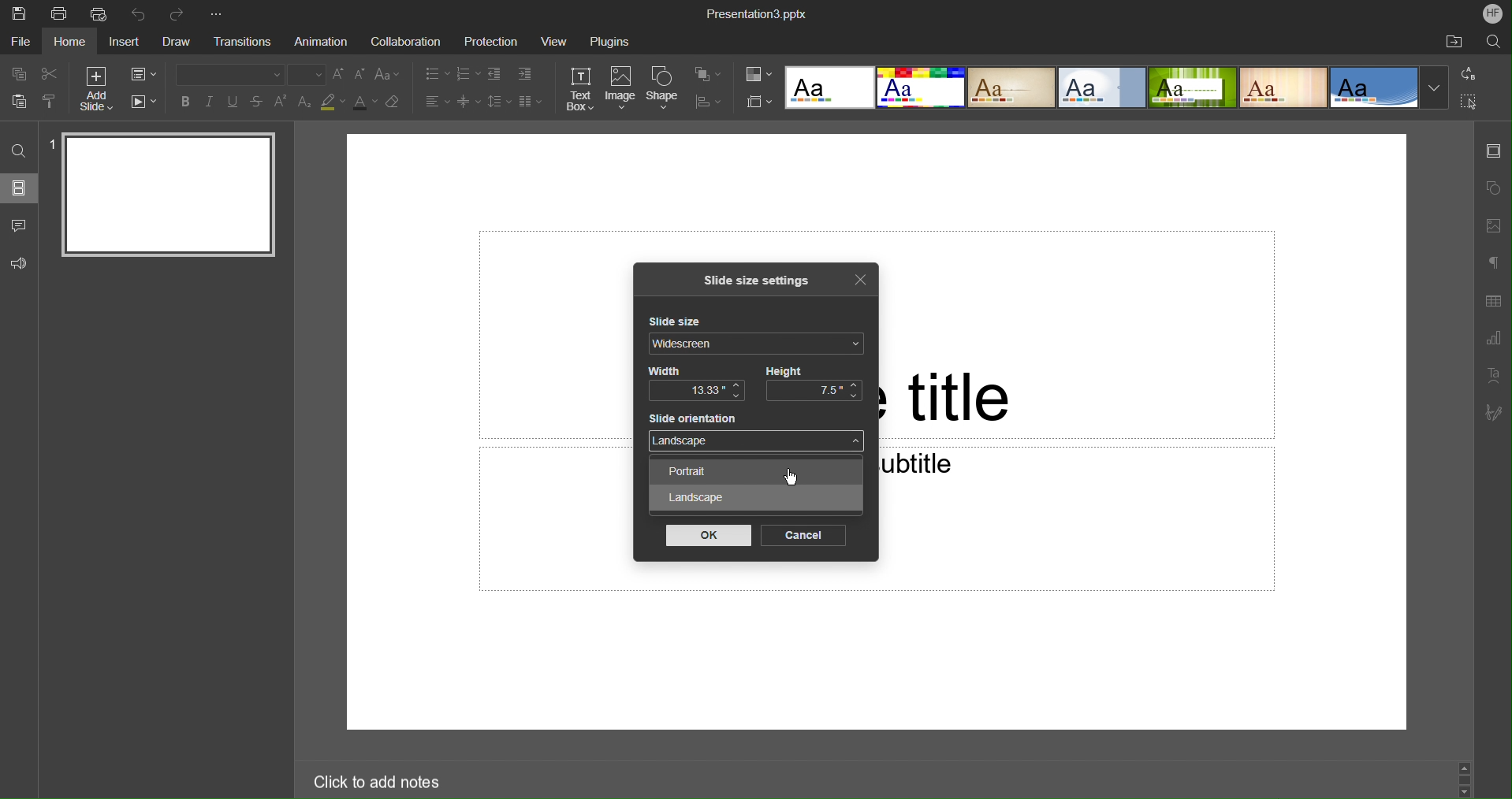  Describe the element at coordinates (323, 42) in the screenshot. I see `Animation` at that location.